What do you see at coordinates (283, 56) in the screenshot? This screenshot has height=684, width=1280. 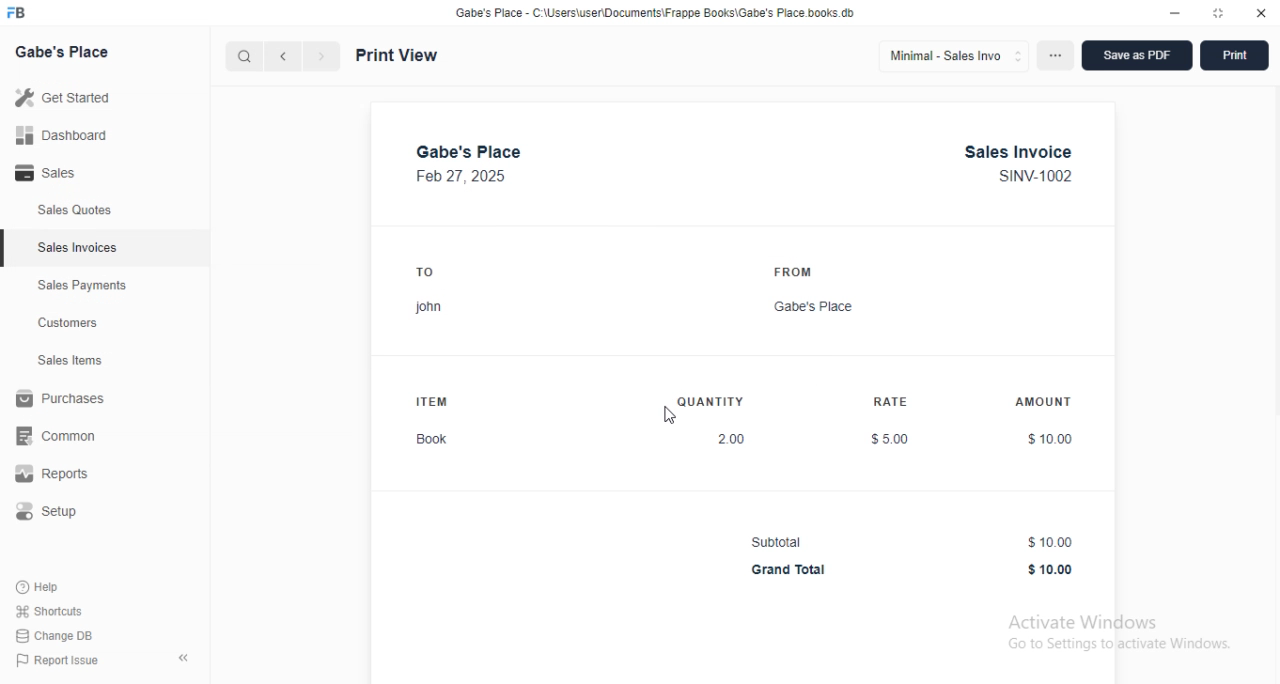 I see `previous` at bounding box center [283, 56].